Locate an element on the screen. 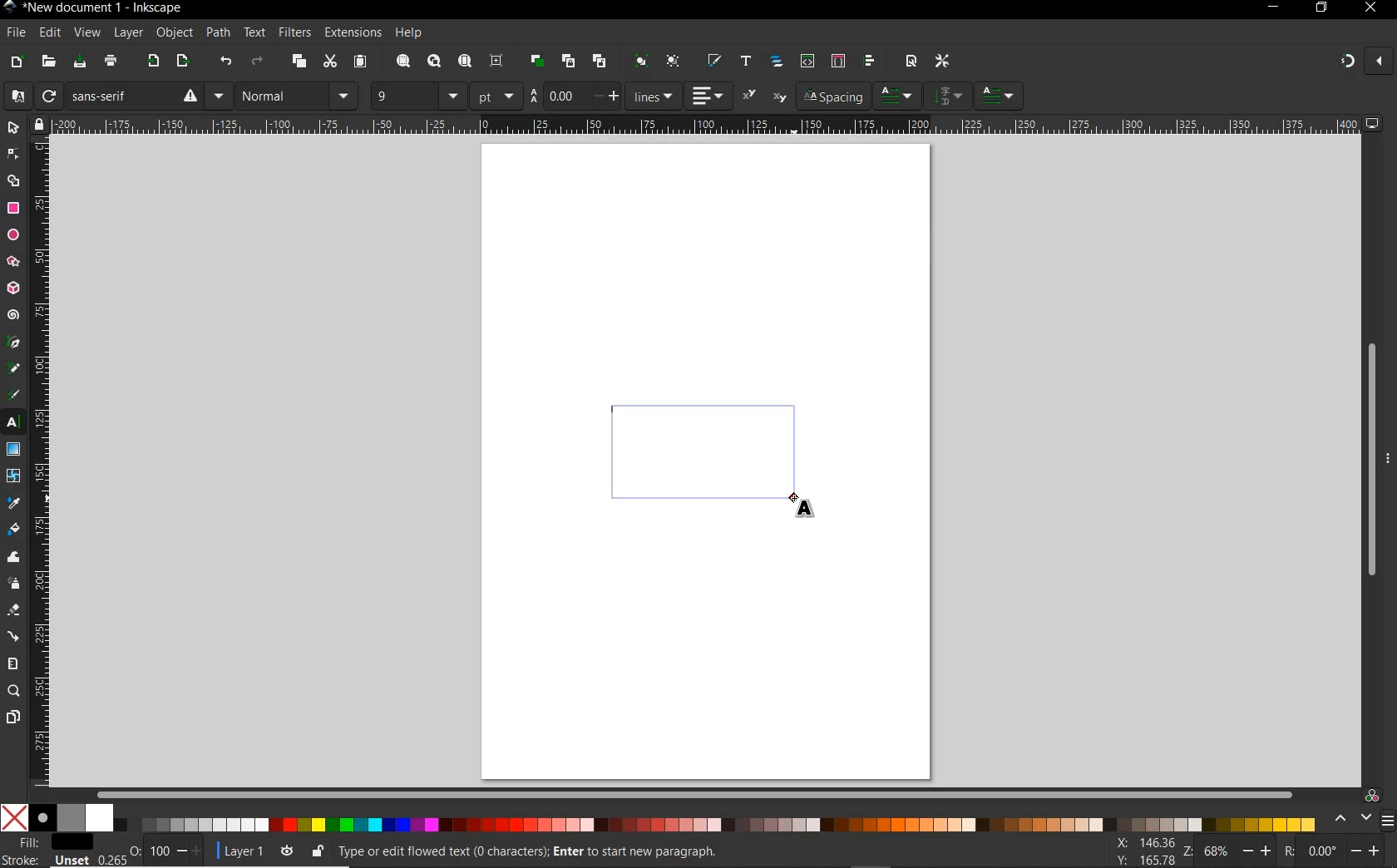  0.265 is located at coordinates (109, 861).